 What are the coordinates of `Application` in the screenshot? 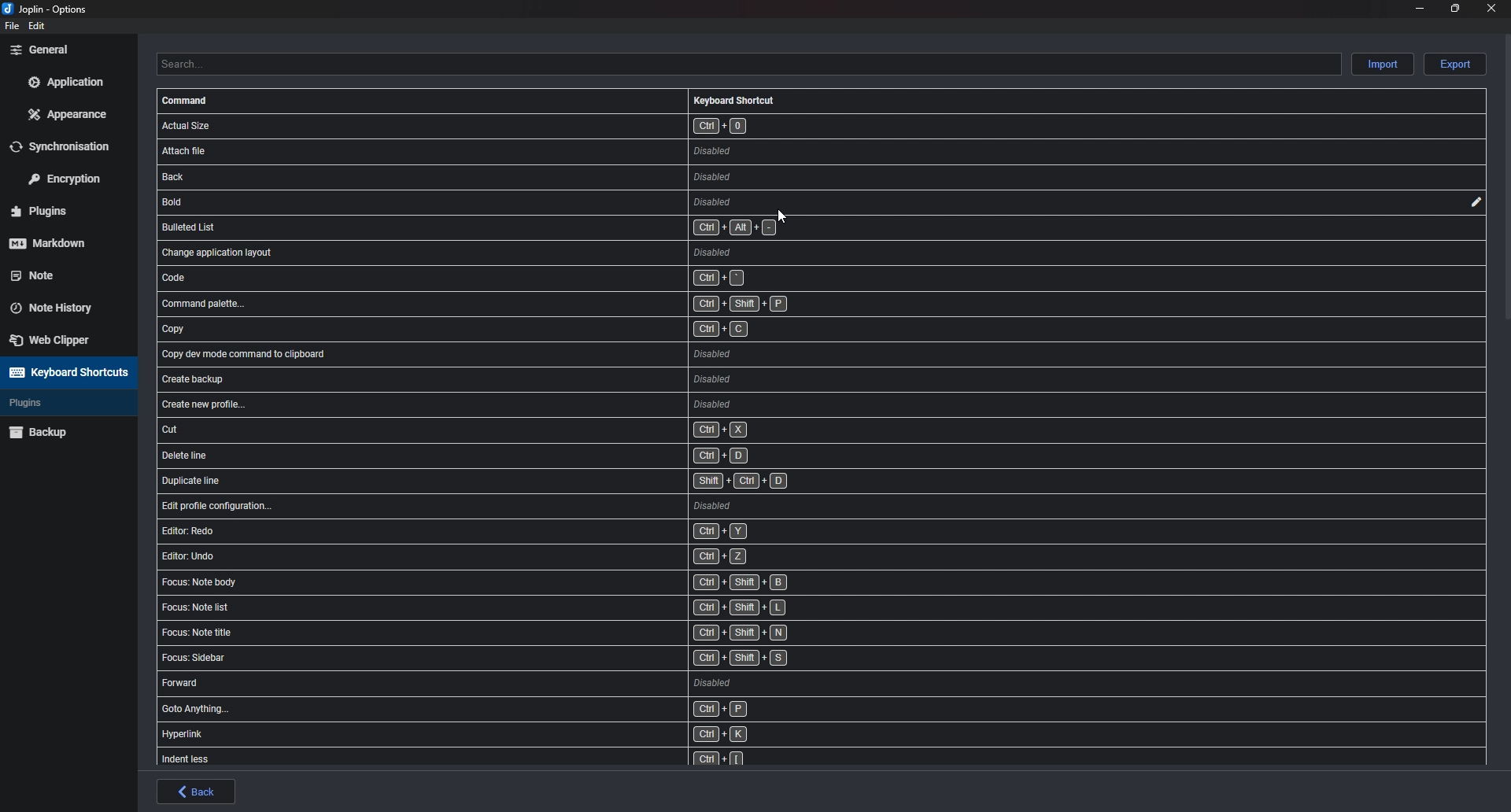 It's located at (65, 82).